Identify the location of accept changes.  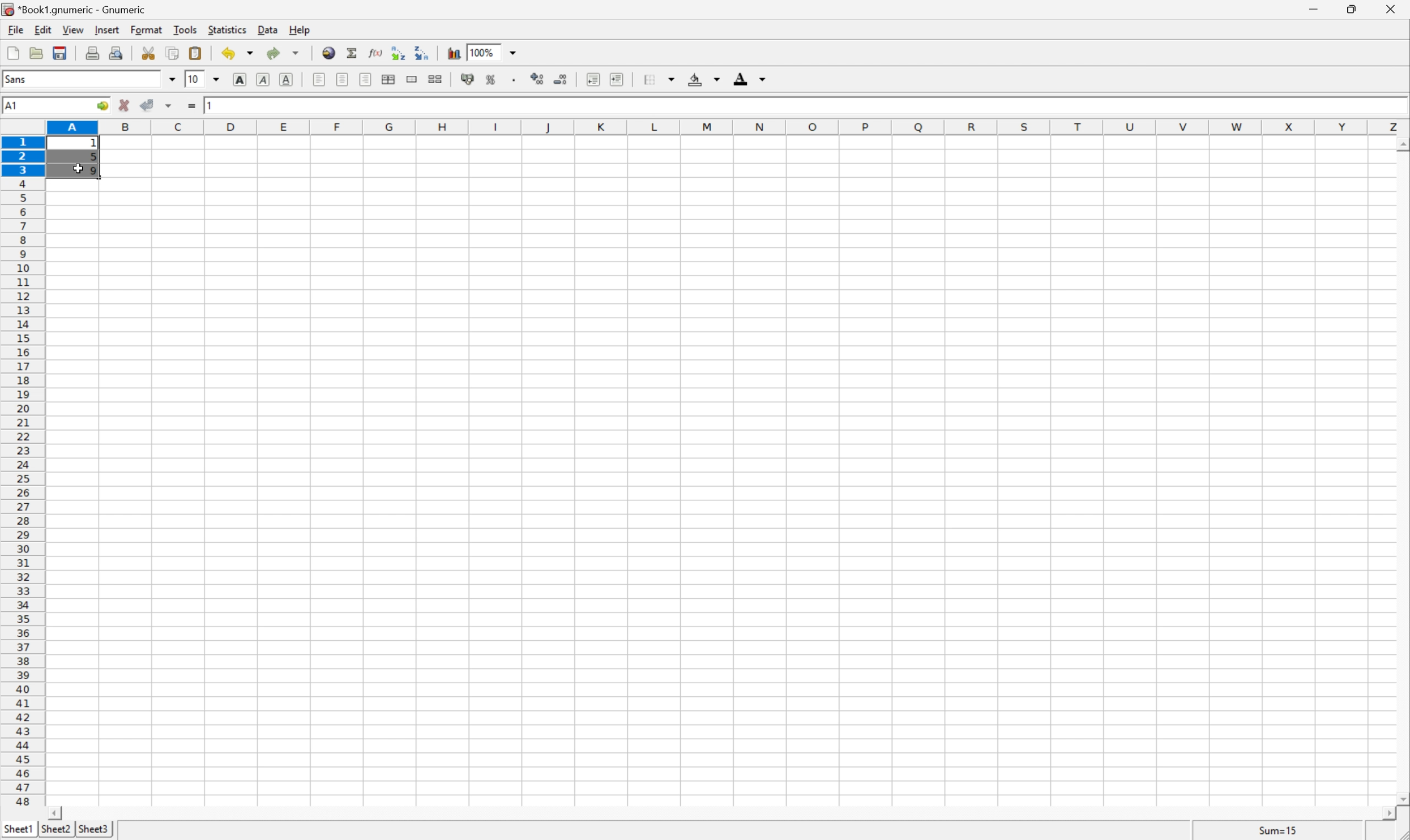
(148, 104).